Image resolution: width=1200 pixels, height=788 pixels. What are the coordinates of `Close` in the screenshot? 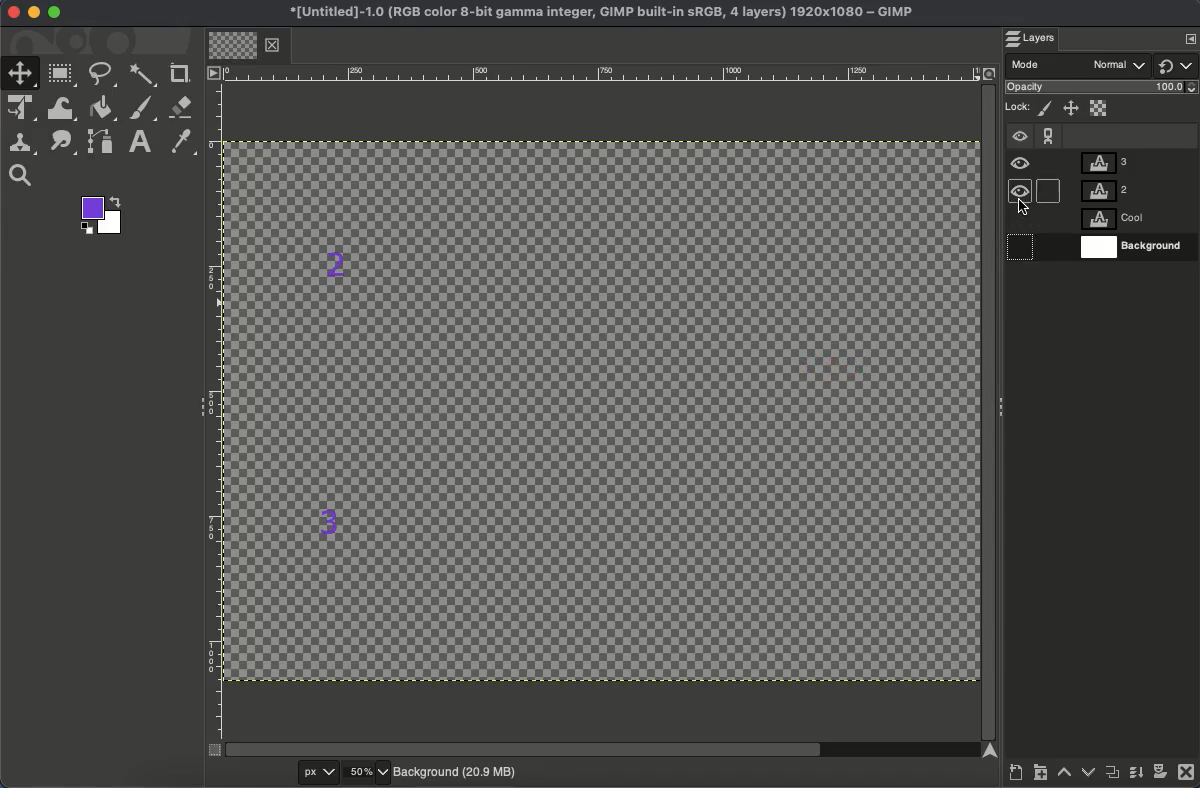 It's located at (1186, 775).